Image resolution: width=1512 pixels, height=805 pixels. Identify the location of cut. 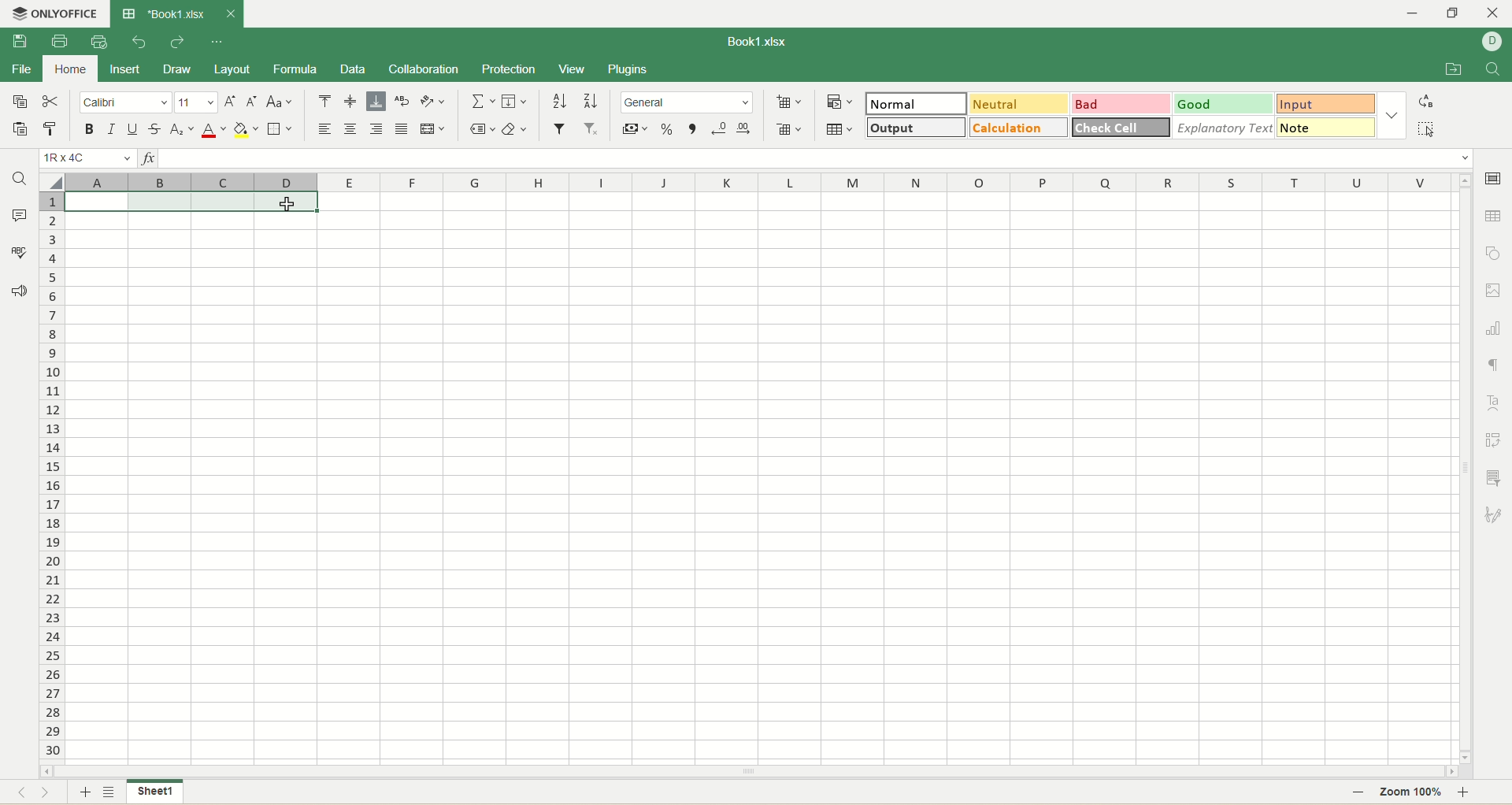
(54, 101).